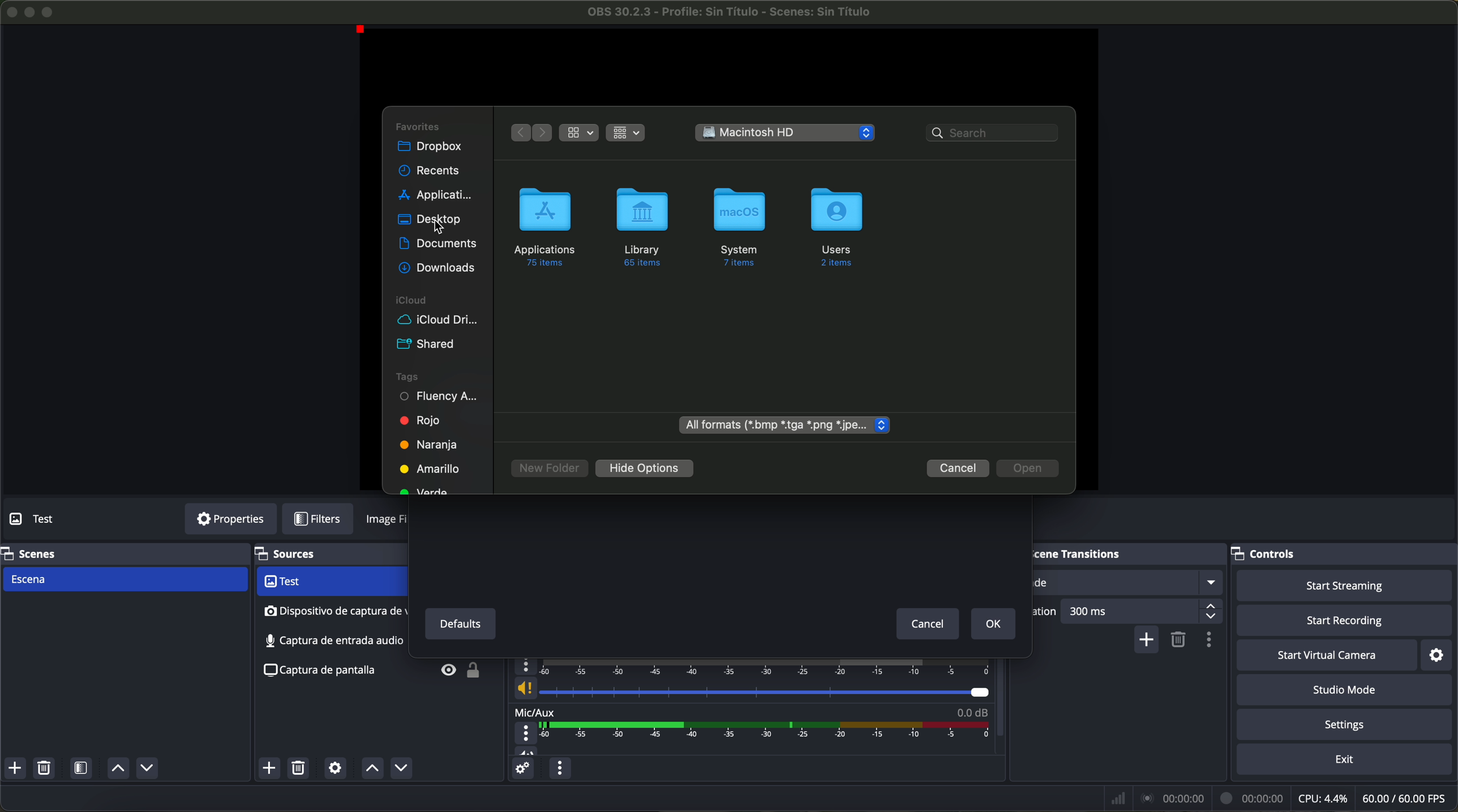 This screenshot has width=1458, height=812. What do you see at coordinates (1281, 798) in the screenshot?
I see `data` at bounding box center [1281, 798].